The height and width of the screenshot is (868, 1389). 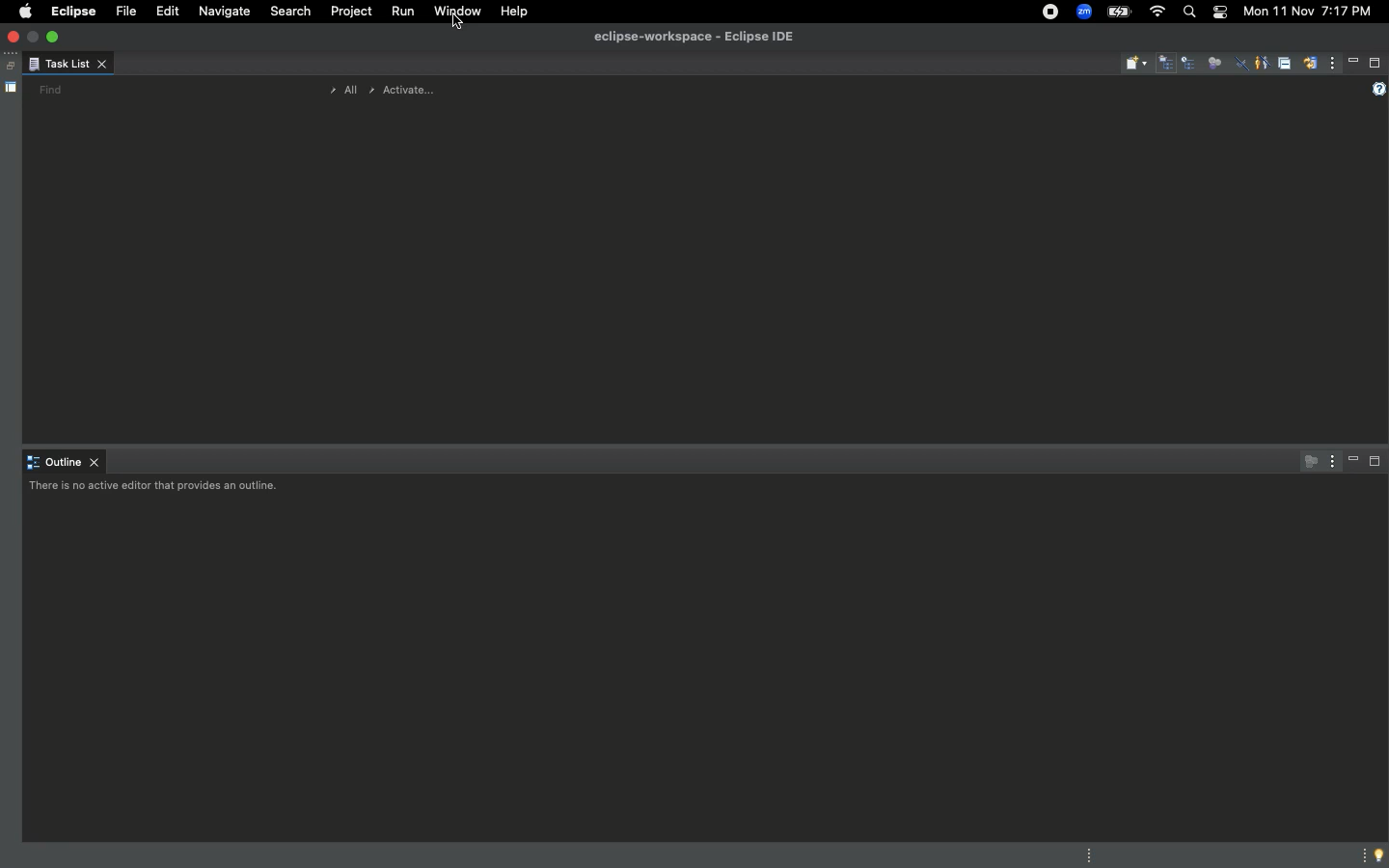 What do you see at coordinates (1360, 854) in the screenshot?
I see `more` at bounding box center [1360, 854].